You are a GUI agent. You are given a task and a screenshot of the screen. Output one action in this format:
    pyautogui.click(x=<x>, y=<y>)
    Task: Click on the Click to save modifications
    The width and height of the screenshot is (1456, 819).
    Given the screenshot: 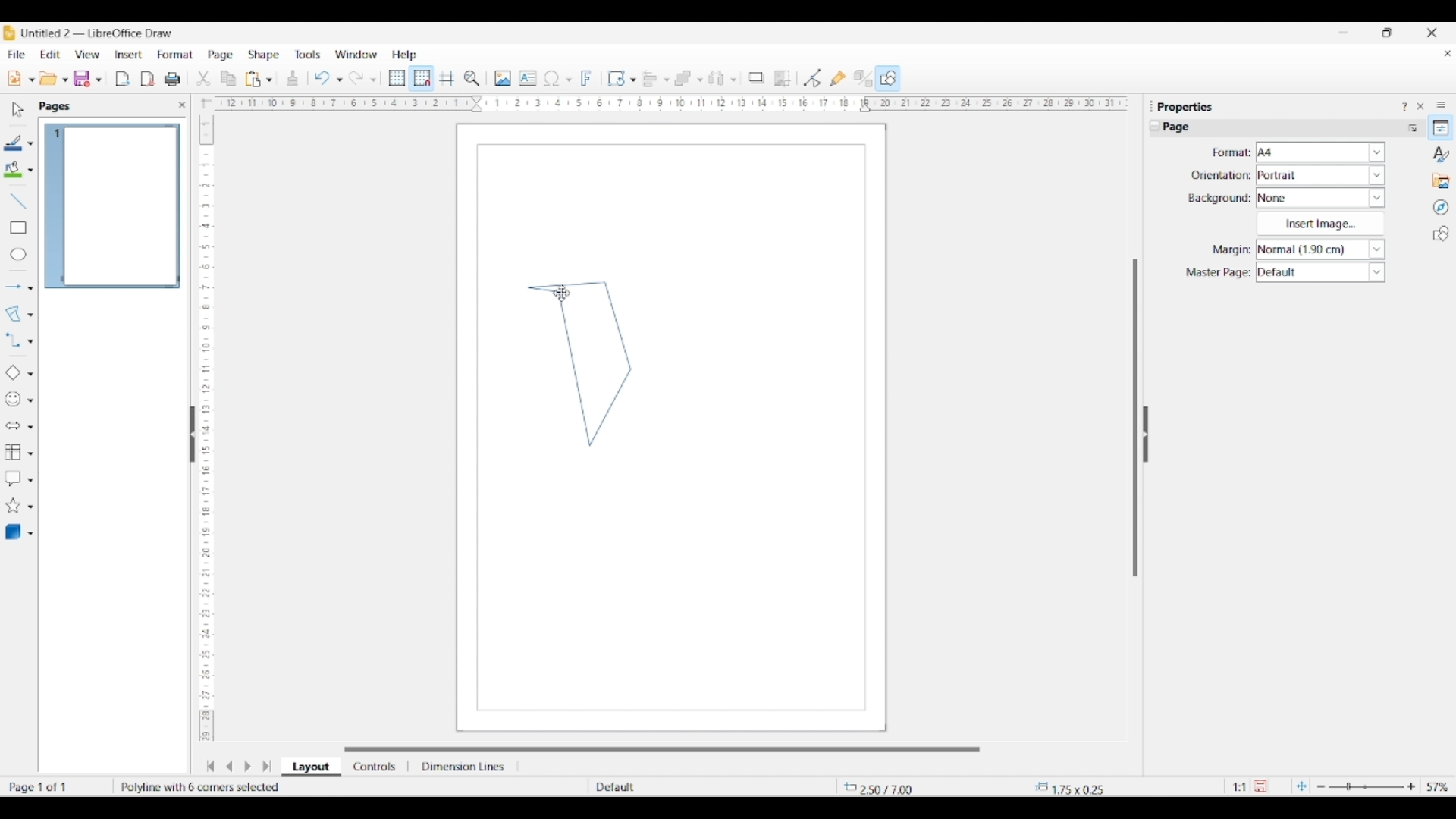 What is the action you would take?
    pyautogui.click(x=1260, y=786)
    